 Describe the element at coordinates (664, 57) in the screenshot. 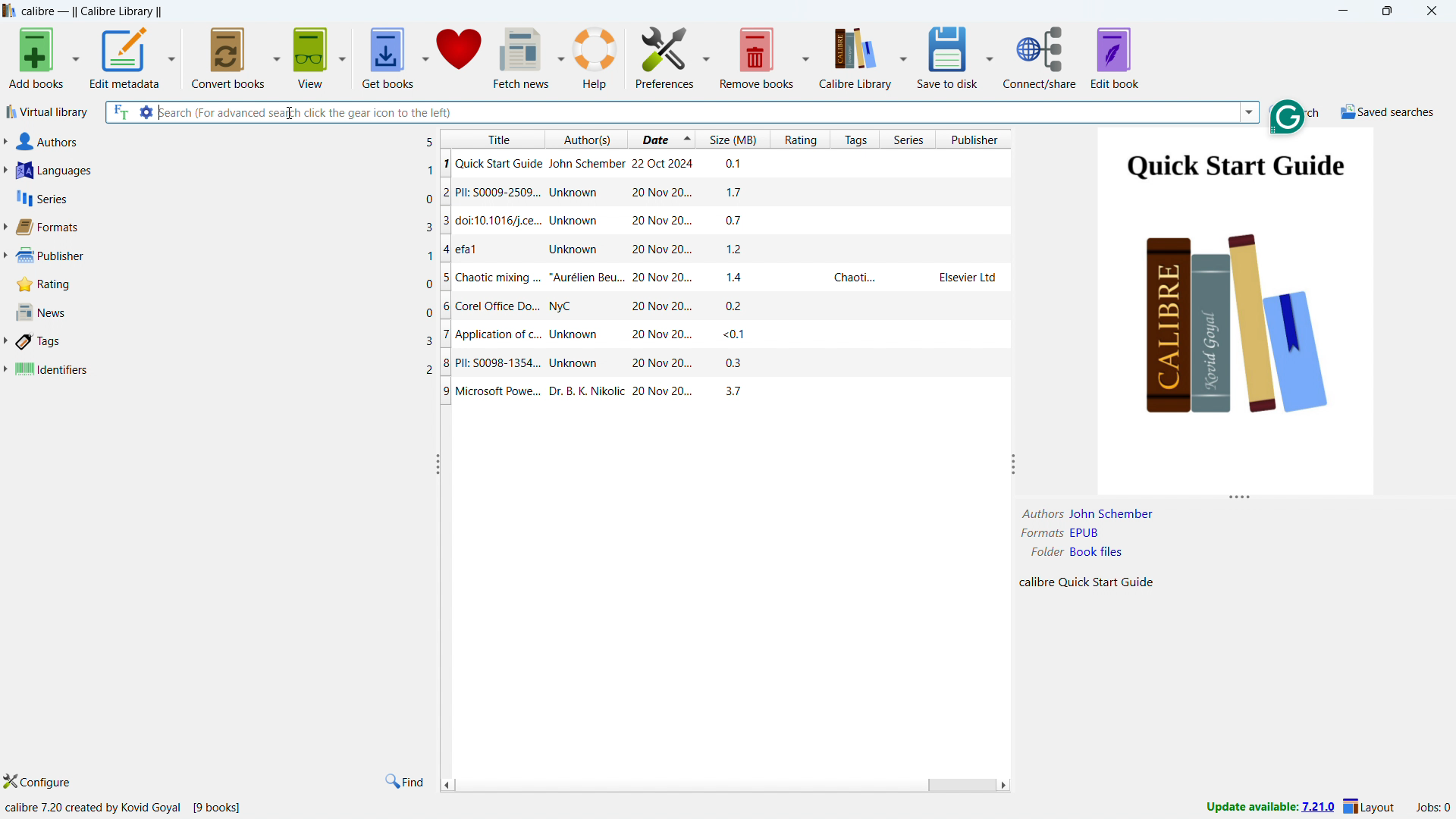

I see `preference ` at that location.